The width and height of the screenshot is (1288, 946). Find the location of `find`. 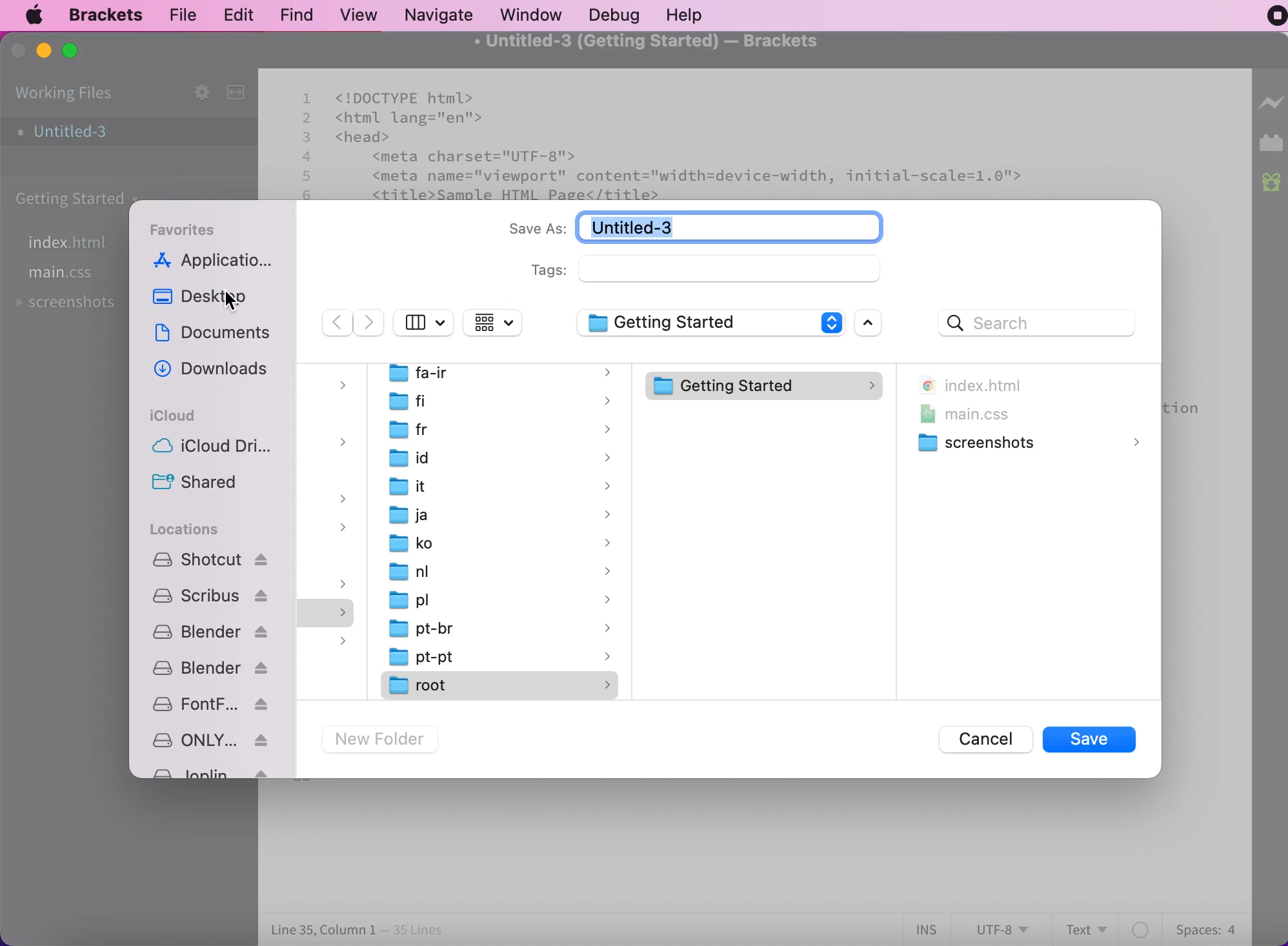

find is located at coordinates (299, 14).